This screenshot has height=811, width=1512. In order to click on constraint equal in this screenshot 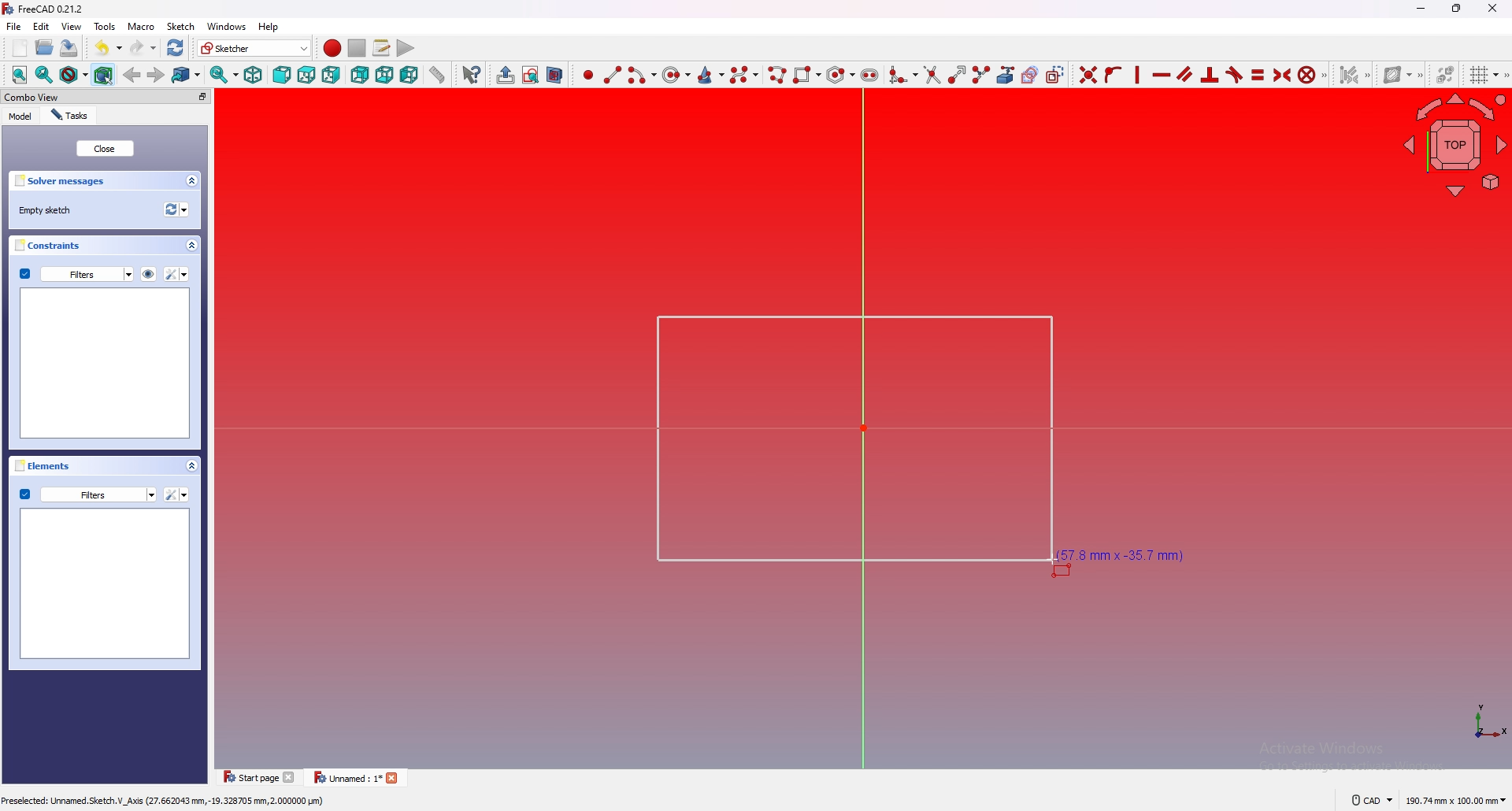, I will do `click(1258, 76)`.